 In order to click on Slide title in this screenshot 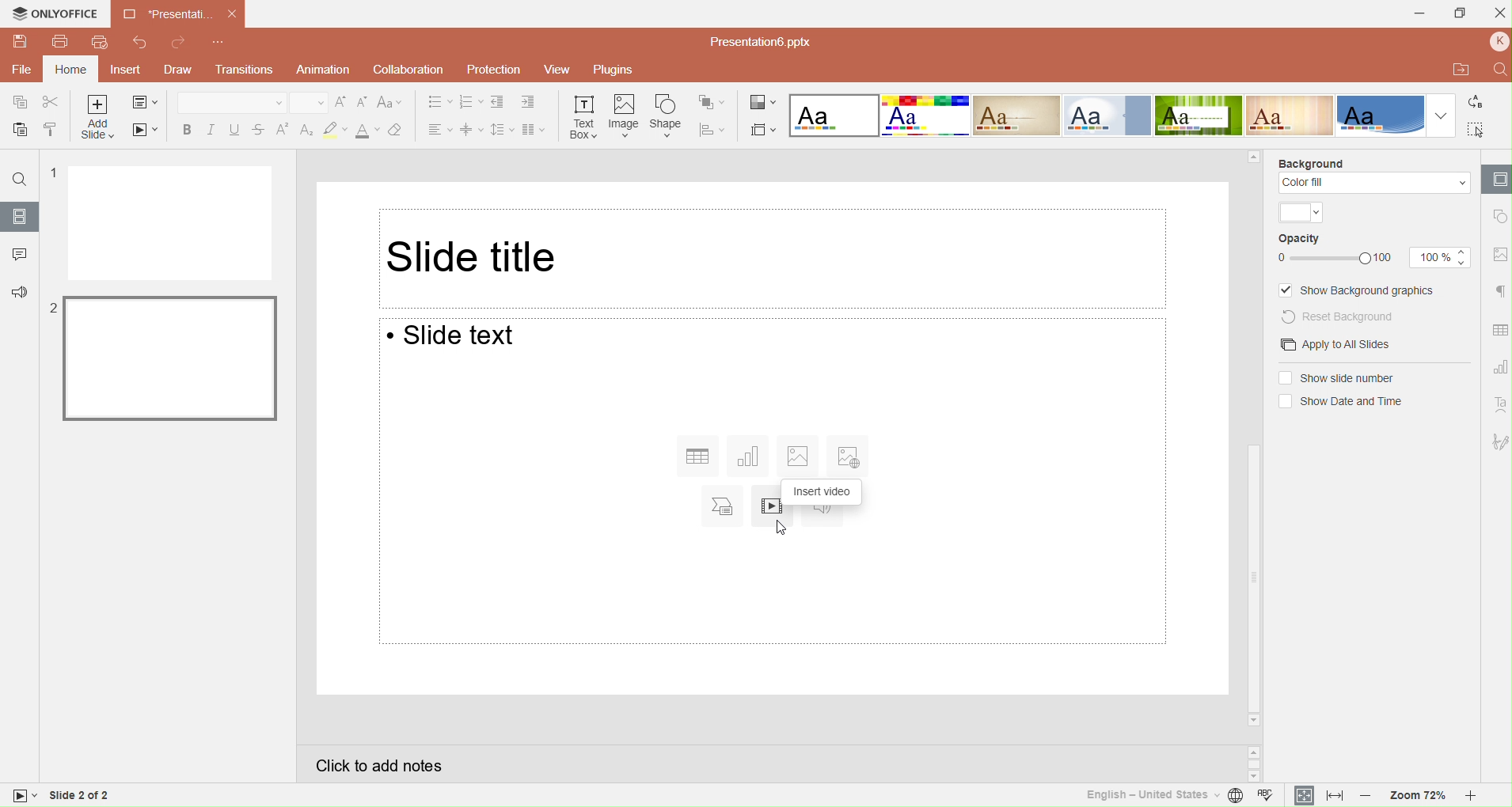, I will do `click(771, 258)`.